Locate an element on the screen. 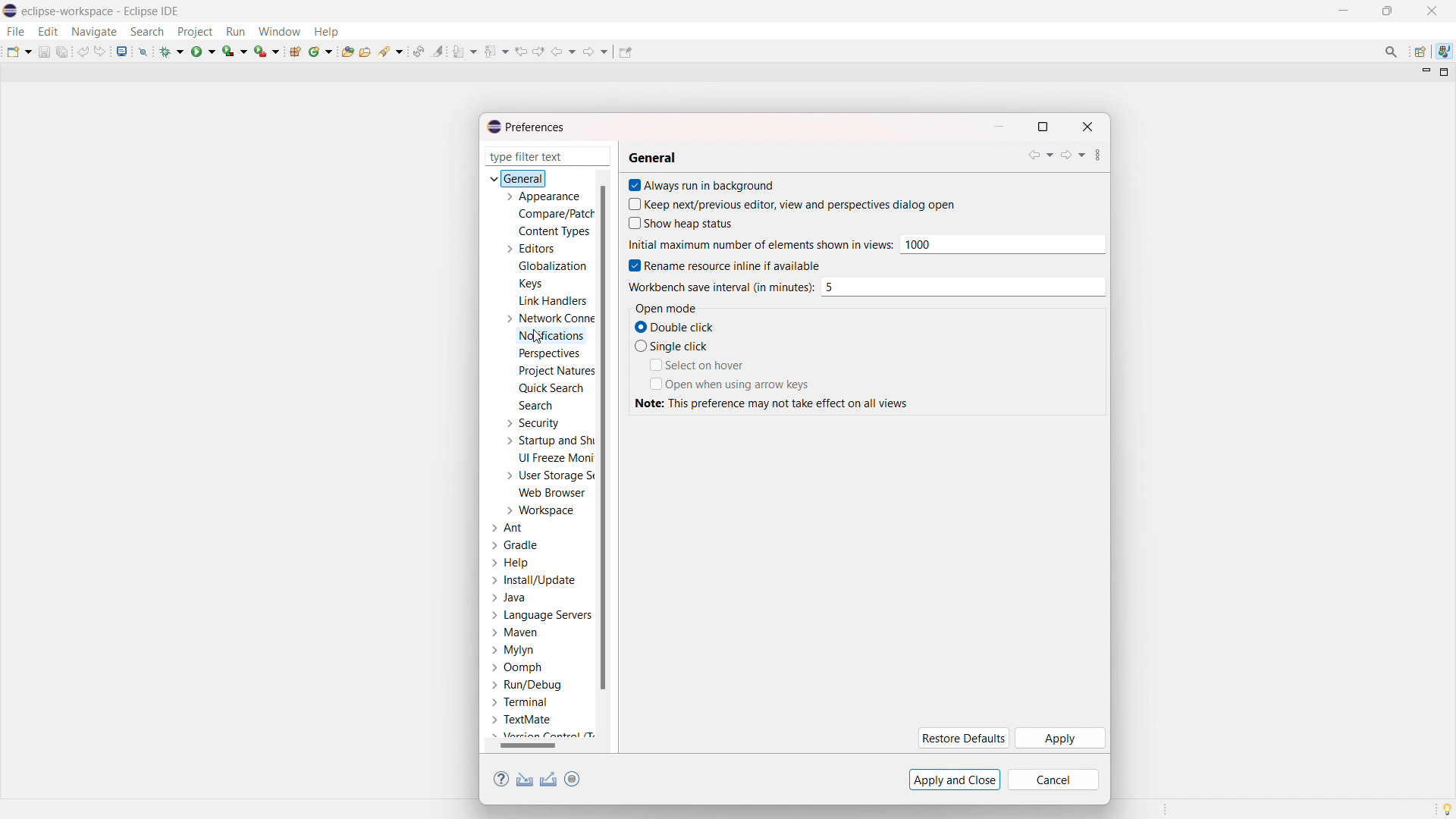 The height and width of the screenshot is (819, 1456). globalization is located at coordinates (554, 265).